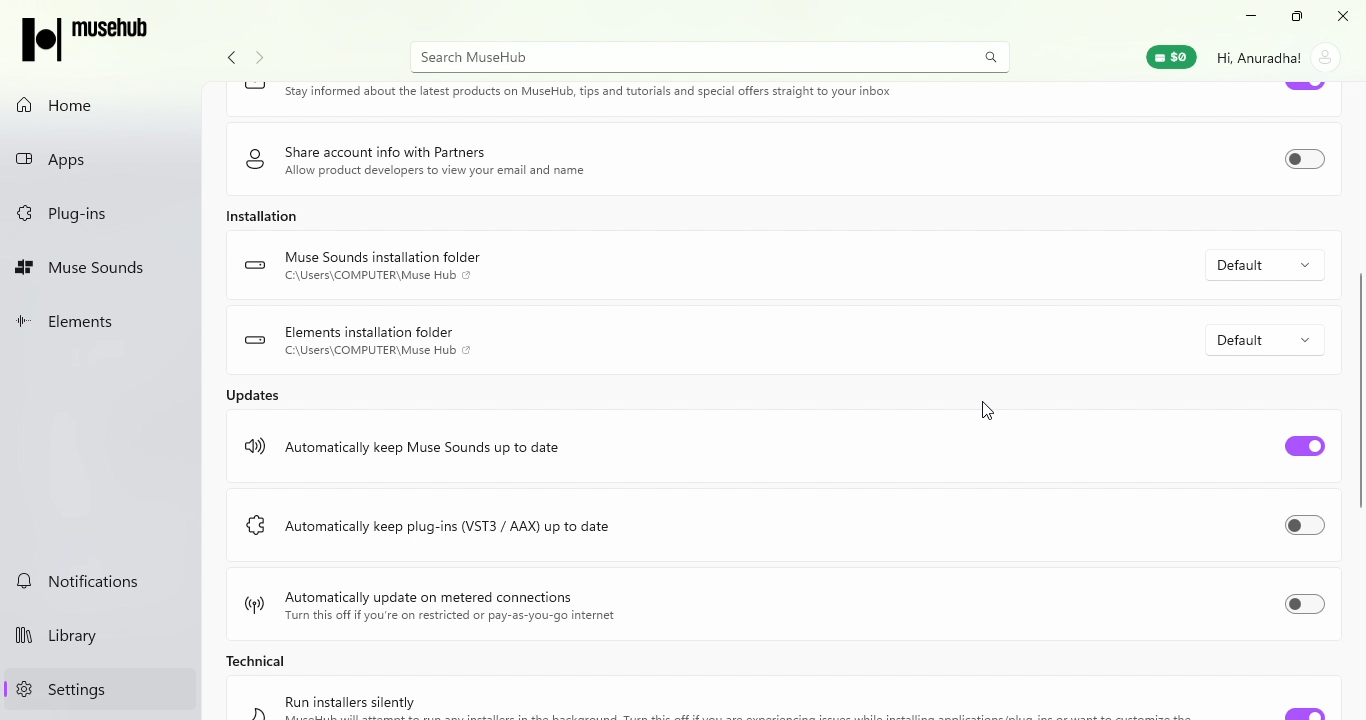 This screenshot has height=720, width=1366. Describe the element at coordinates (427, 448) in the screenshot. I see `Automatically keep Muse Sounds up to date` at that location.